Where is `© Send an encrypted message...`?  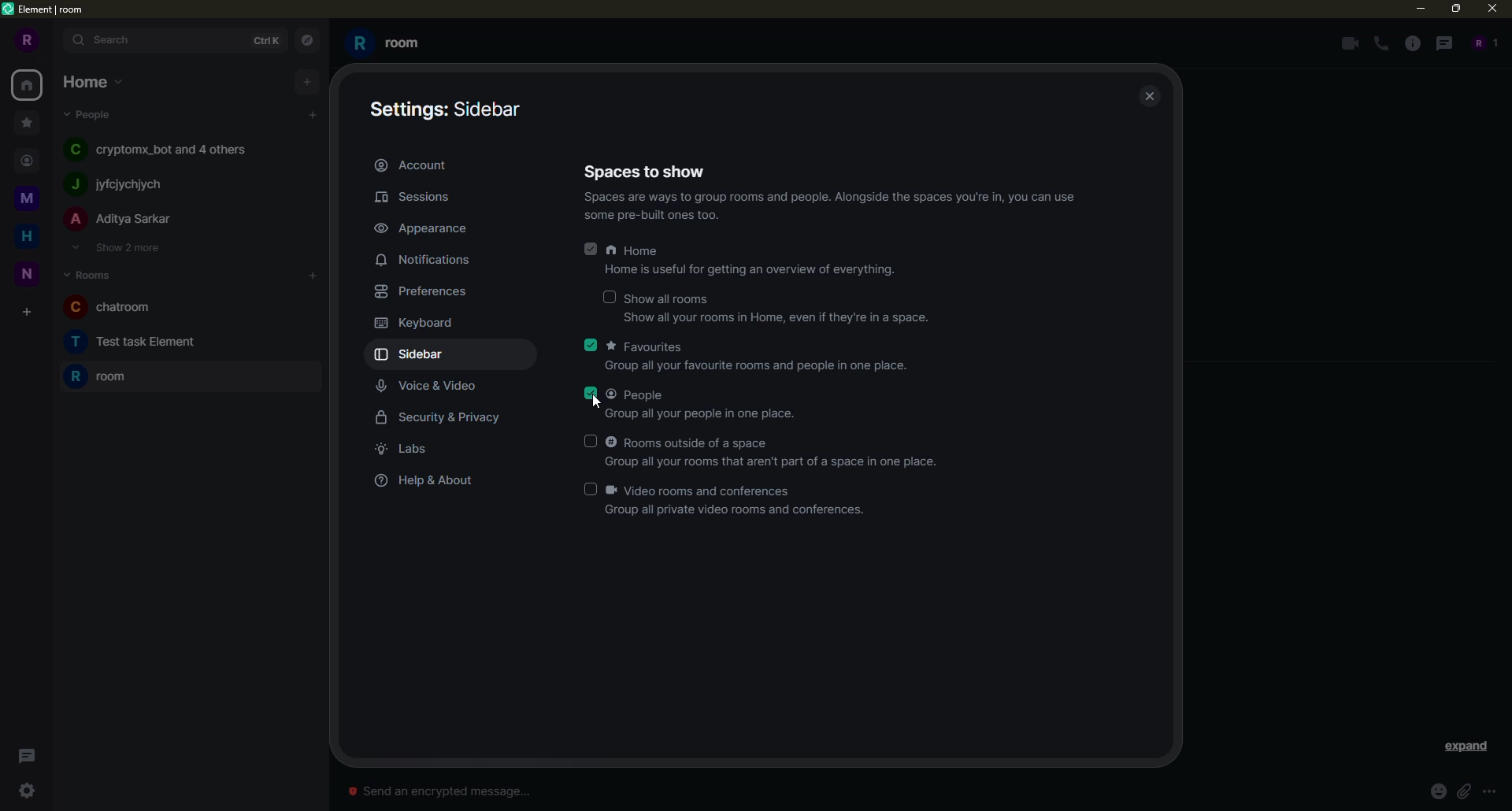 © Send an encrypted message... is located at coordinates (459, 791).